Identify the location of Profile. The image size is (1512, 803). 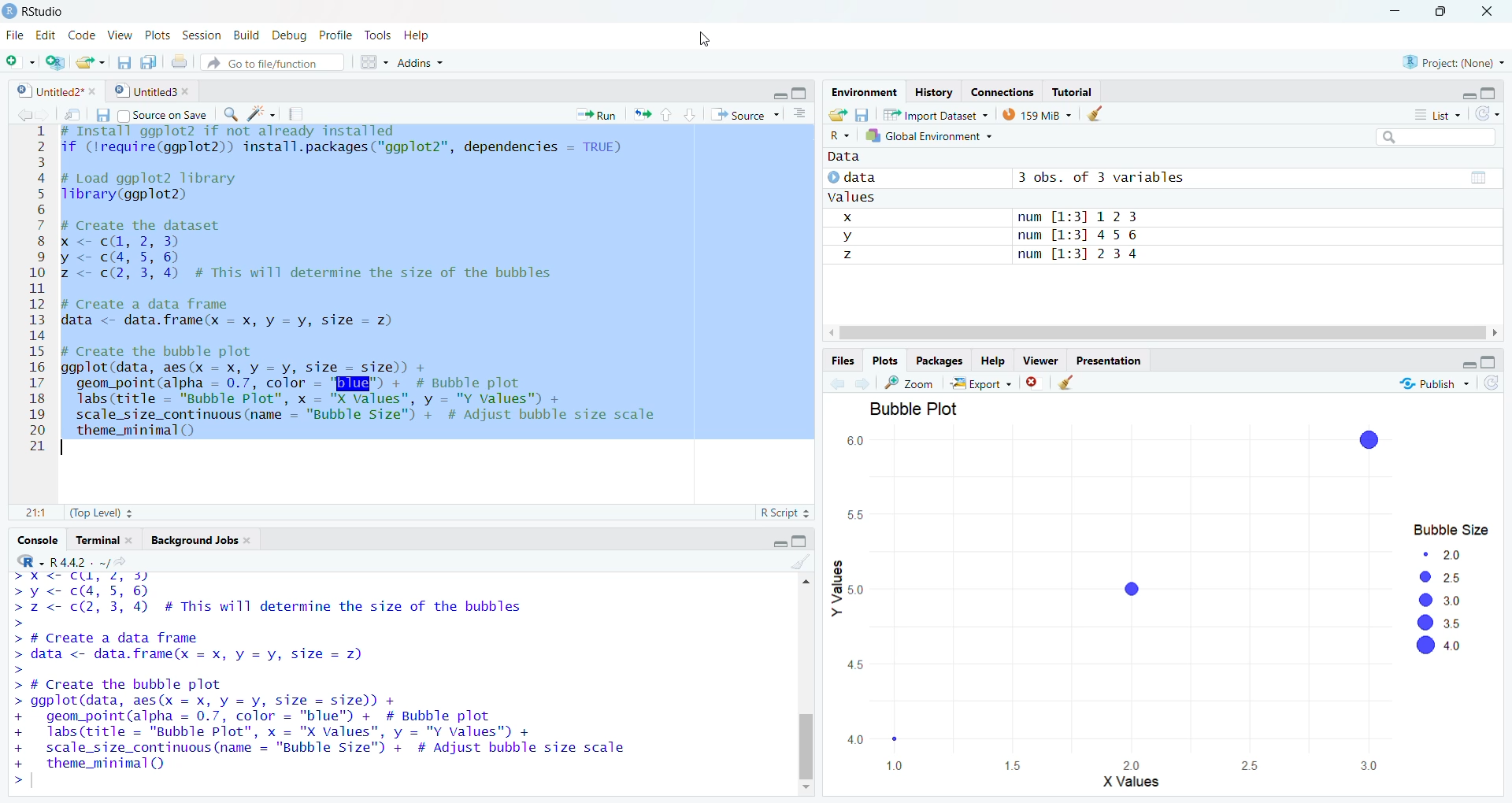
(336, 35).